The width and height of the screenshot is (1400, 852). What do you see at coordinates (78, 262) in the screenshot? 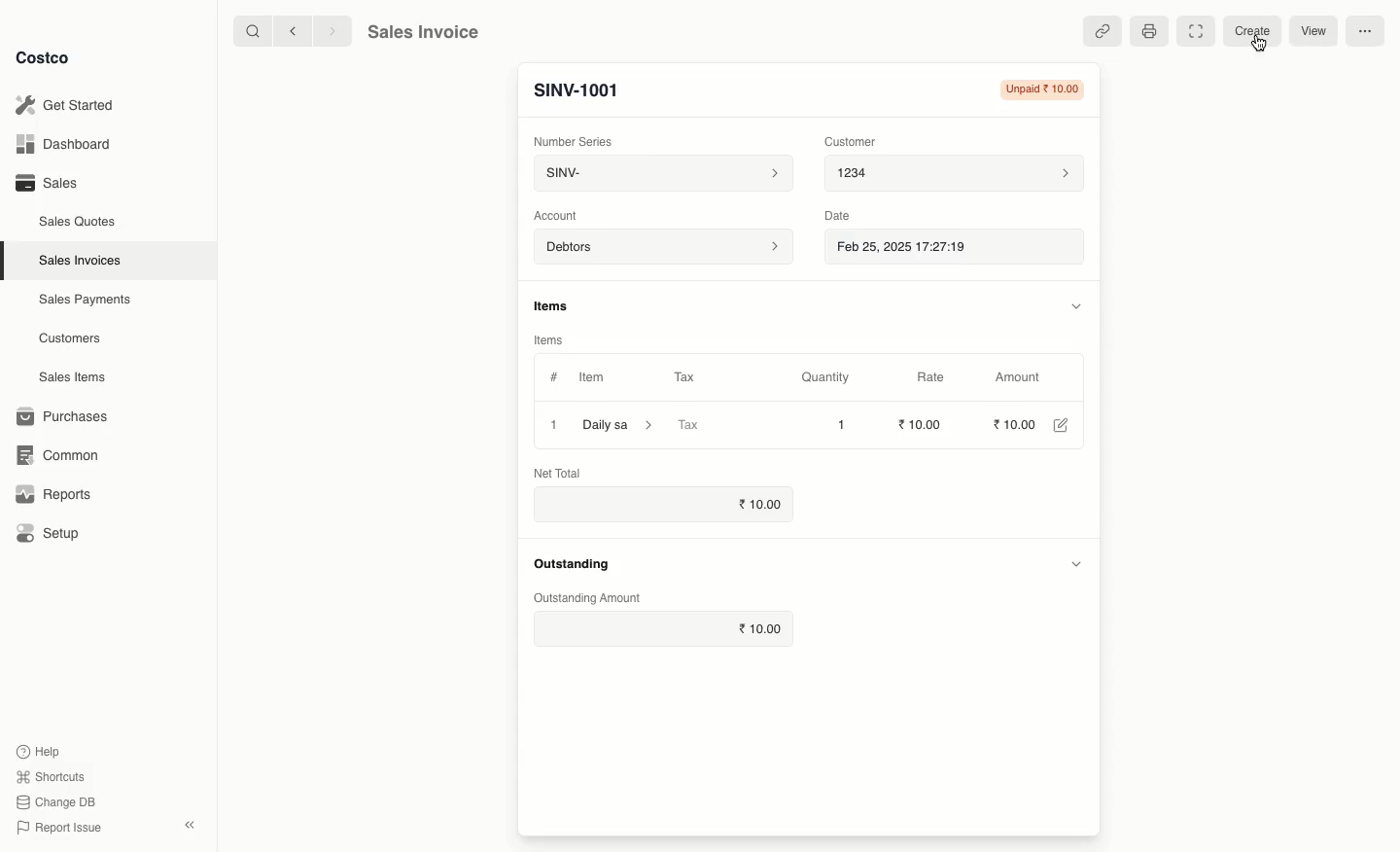
I see `Sales Invoices.` at bounding box center [78, 262].